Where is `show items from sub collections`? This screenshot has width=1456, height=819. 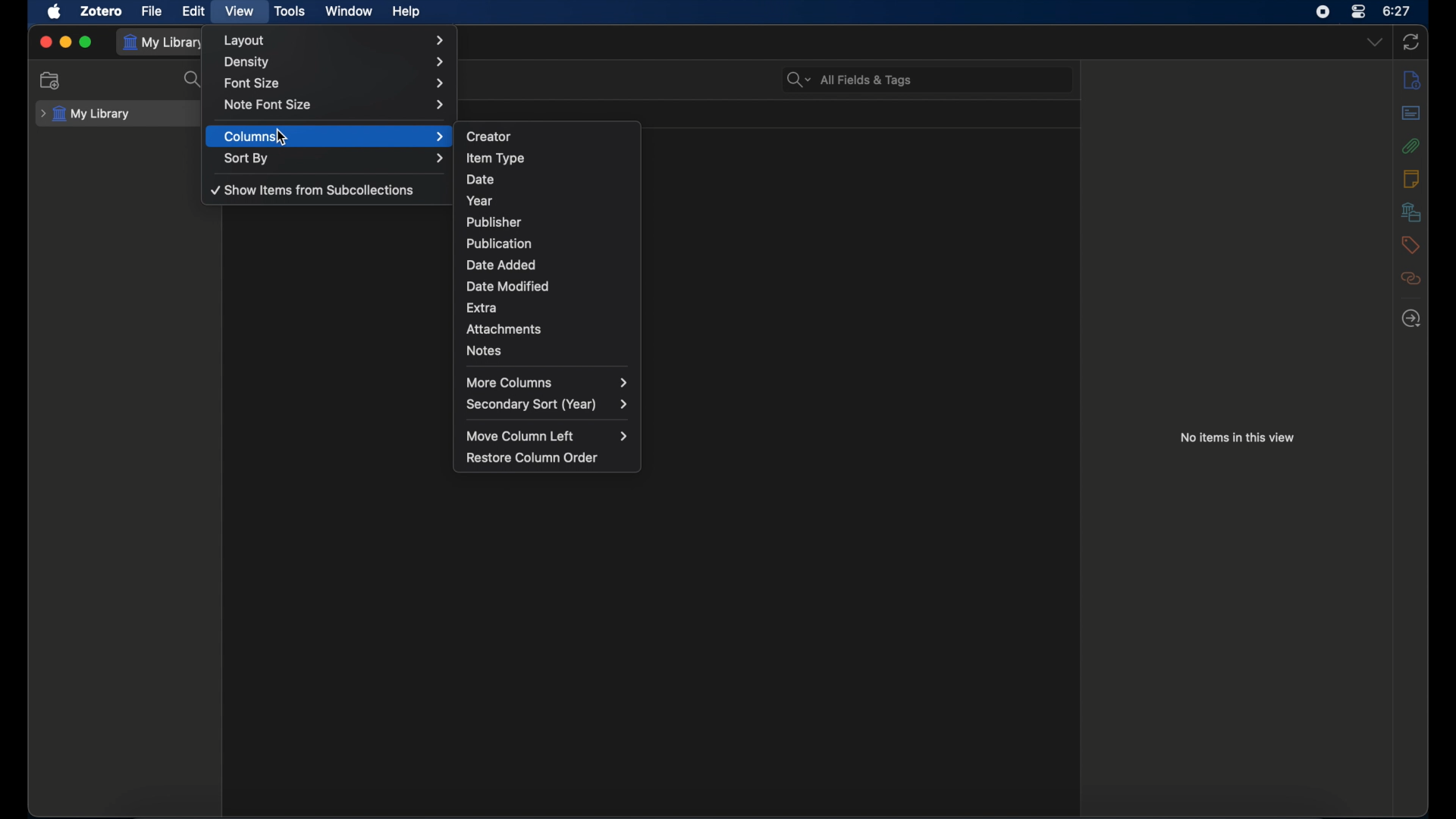
show items from sub collections is located at coordinates (313, 190).